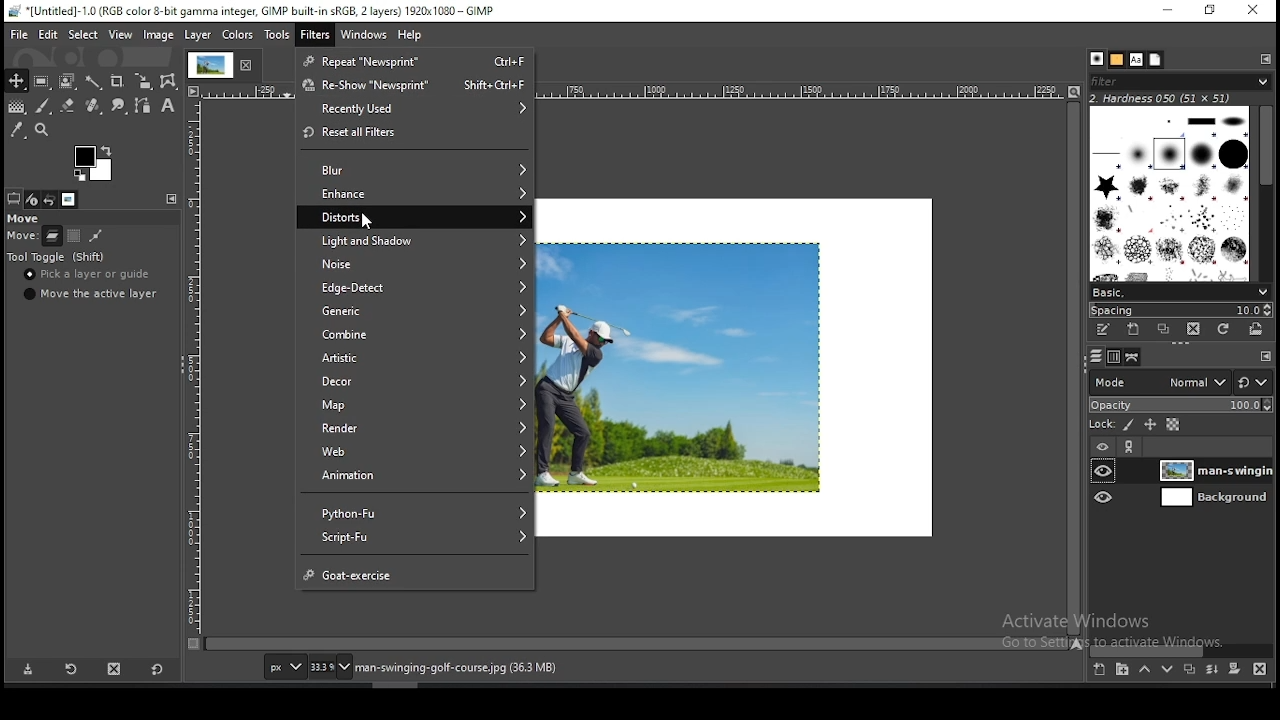 This screenshot has width=1280, height=720. Describe the element at coordinates (1169, 193) in the screenshot. I see `brushes` at that location.